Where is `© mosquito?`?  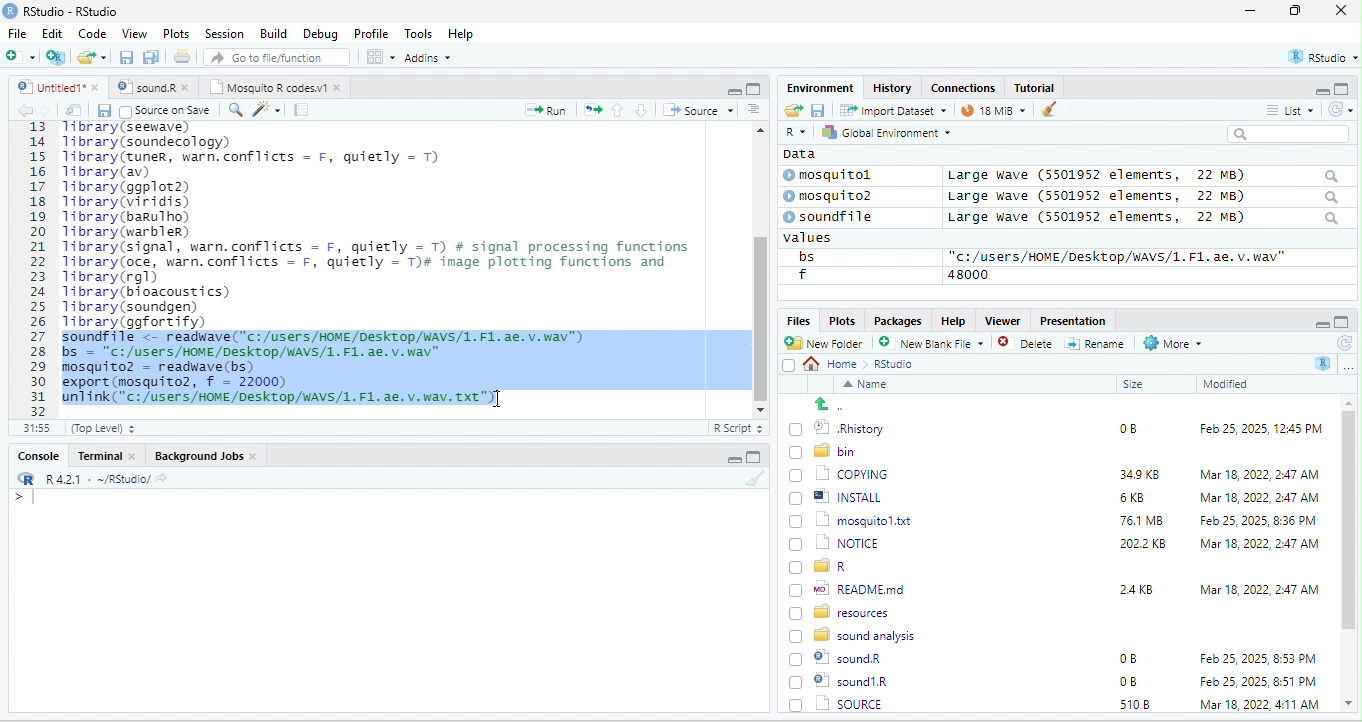 © mosquito? is located at coordinates (834, 194).